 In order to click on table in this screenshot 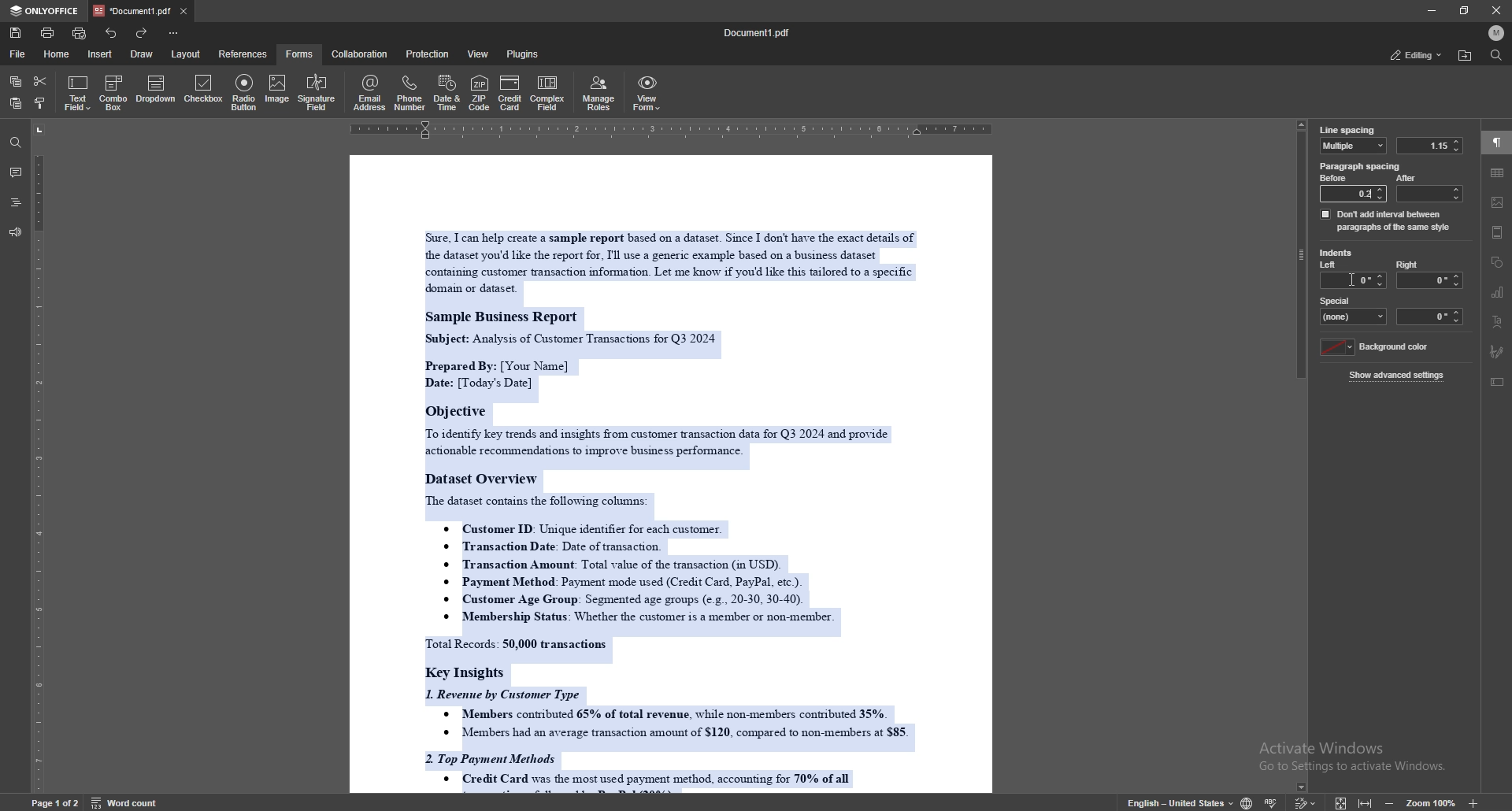, I will do `click(1498, 172)`.